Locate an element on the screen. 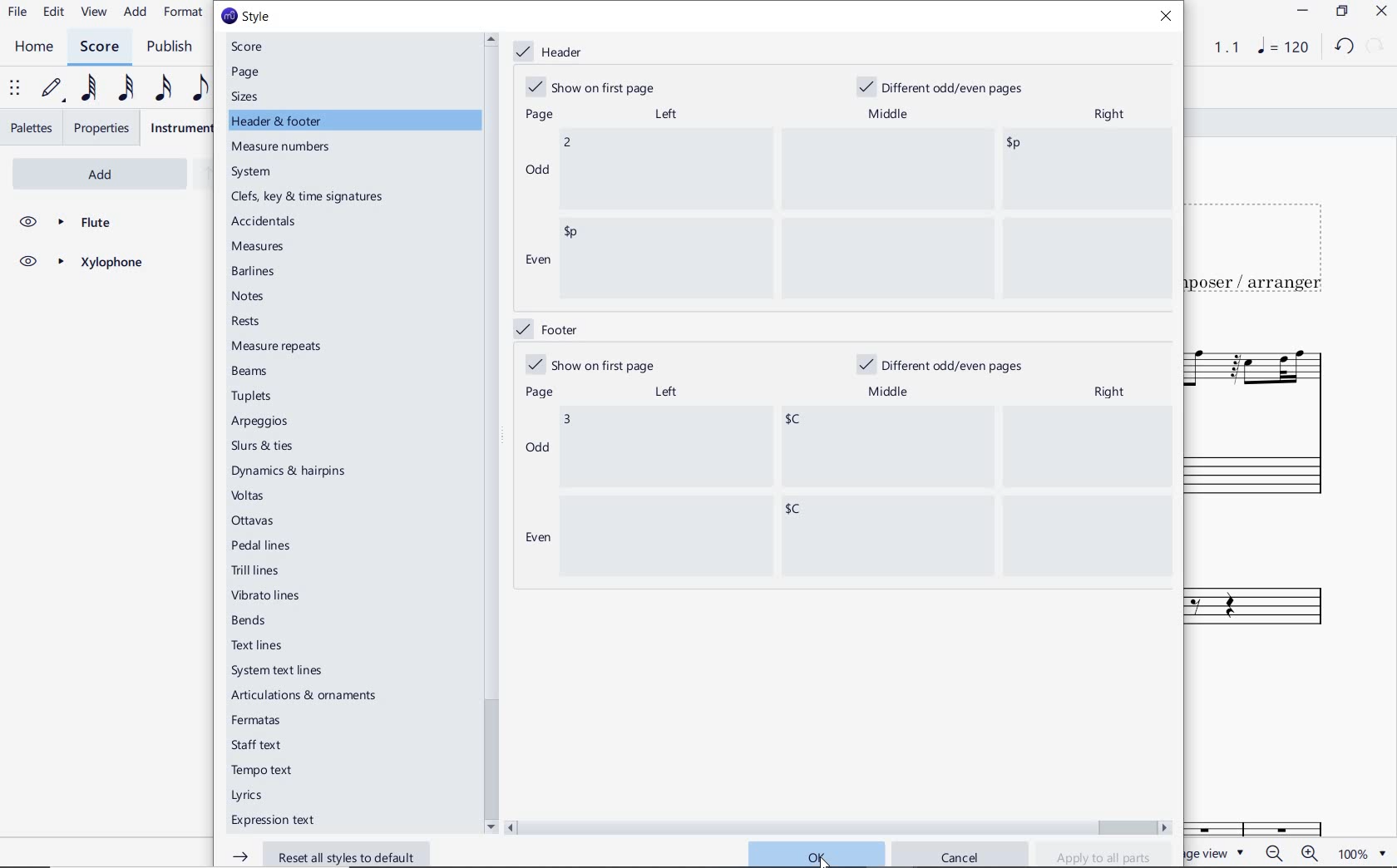  dynamics & hairpins is located at coordinates (292, 471).